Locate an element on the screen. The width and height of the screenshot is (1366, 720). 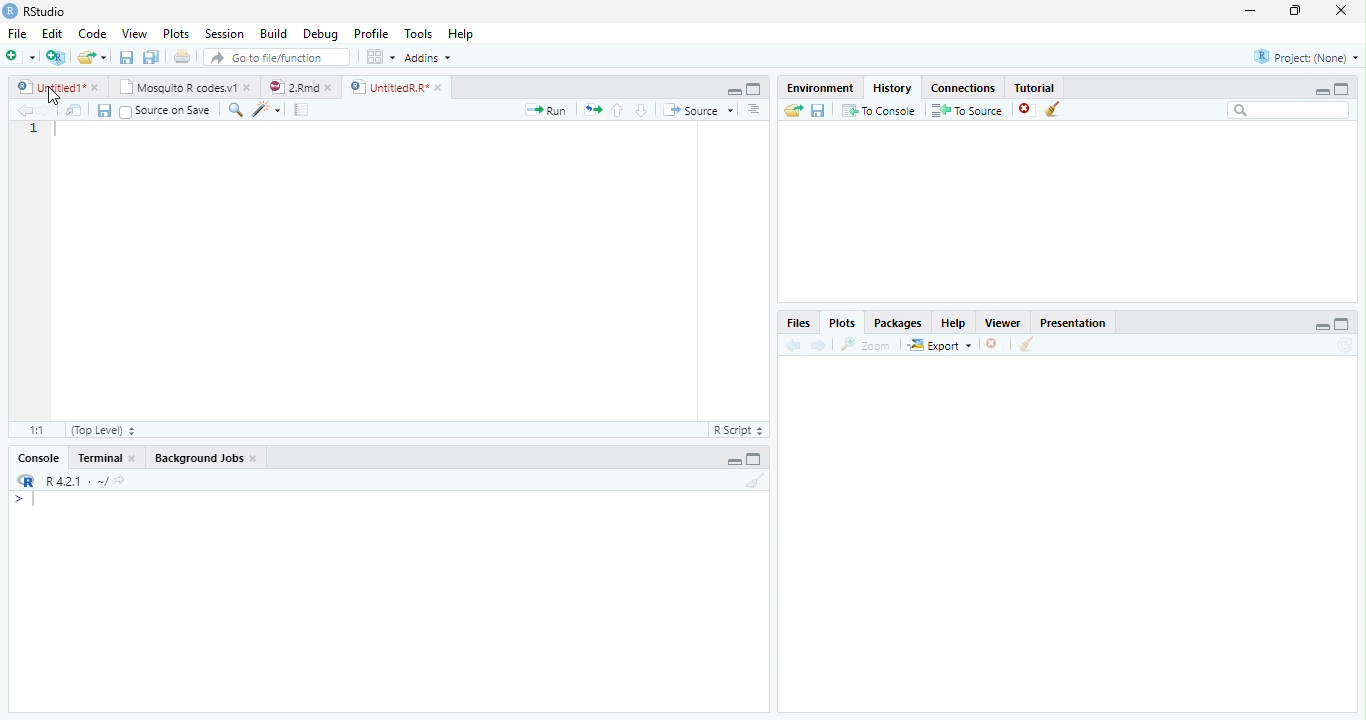
Maximize is located at coordinates (756, 89).